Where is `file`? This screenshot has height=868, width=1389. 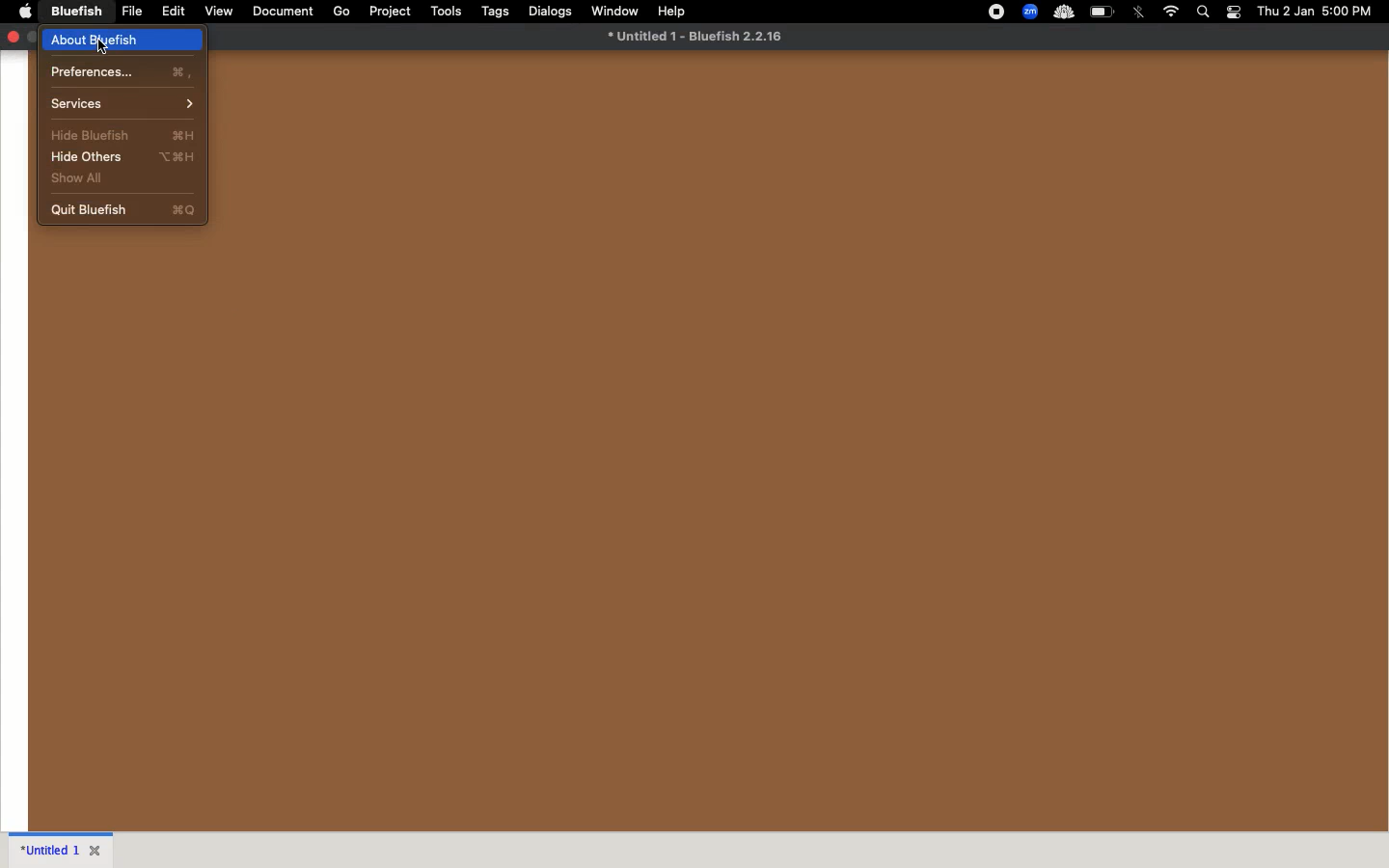
file is located at coordinates (134, 12).